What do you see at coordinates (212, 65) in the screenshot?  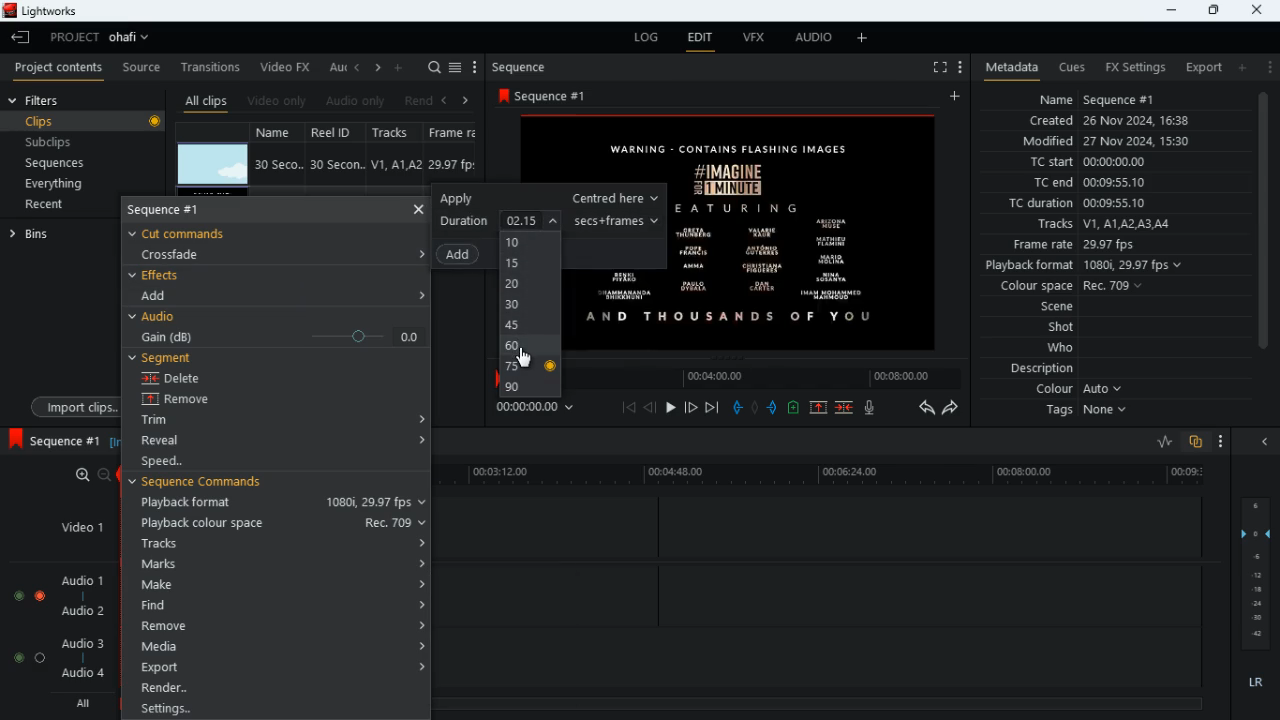 I see `transitions` at bounding box center [212, 65].